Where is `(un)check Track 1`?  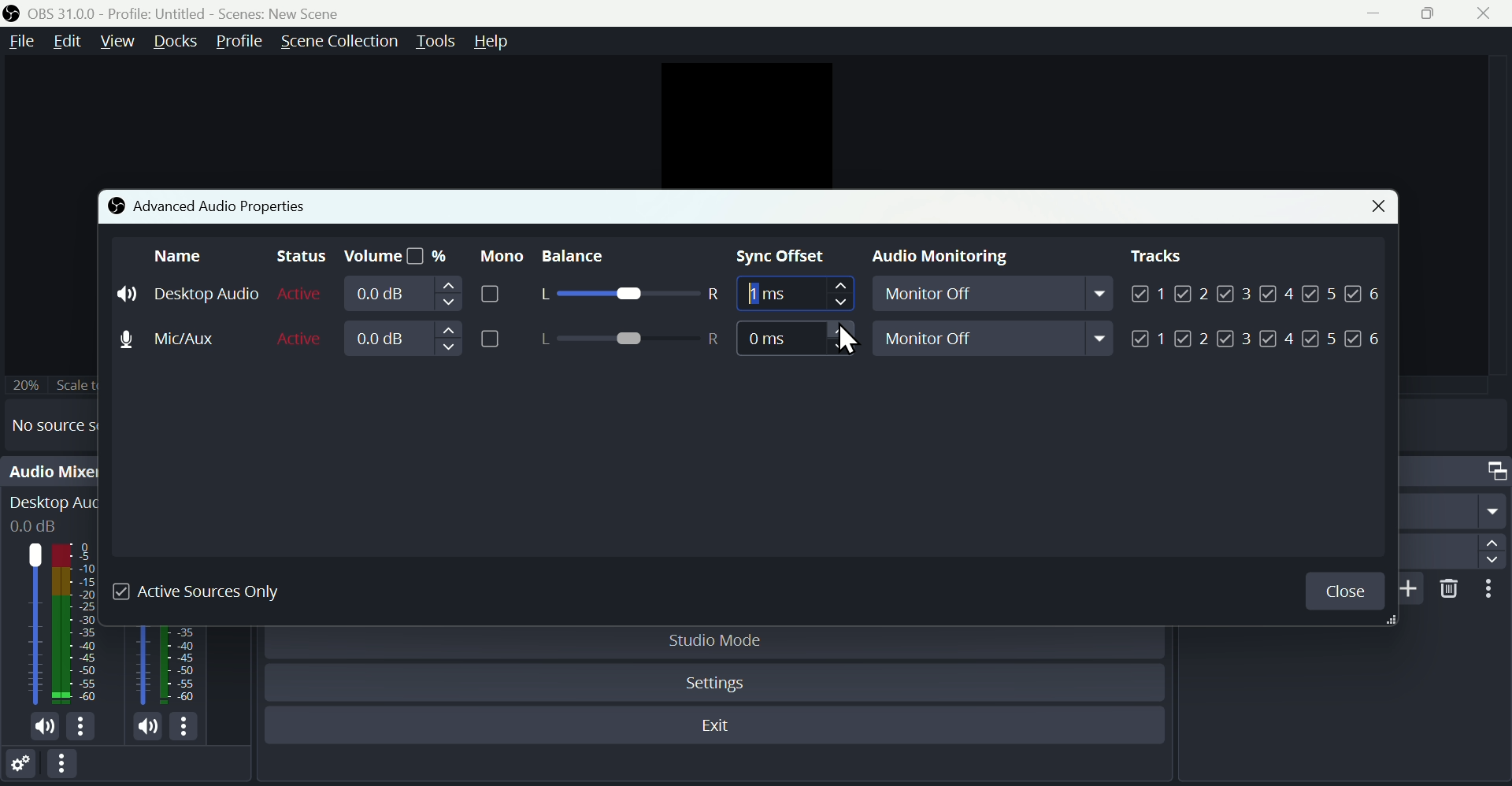
(un)check Track 1 is located at coordinates (1146, 292).